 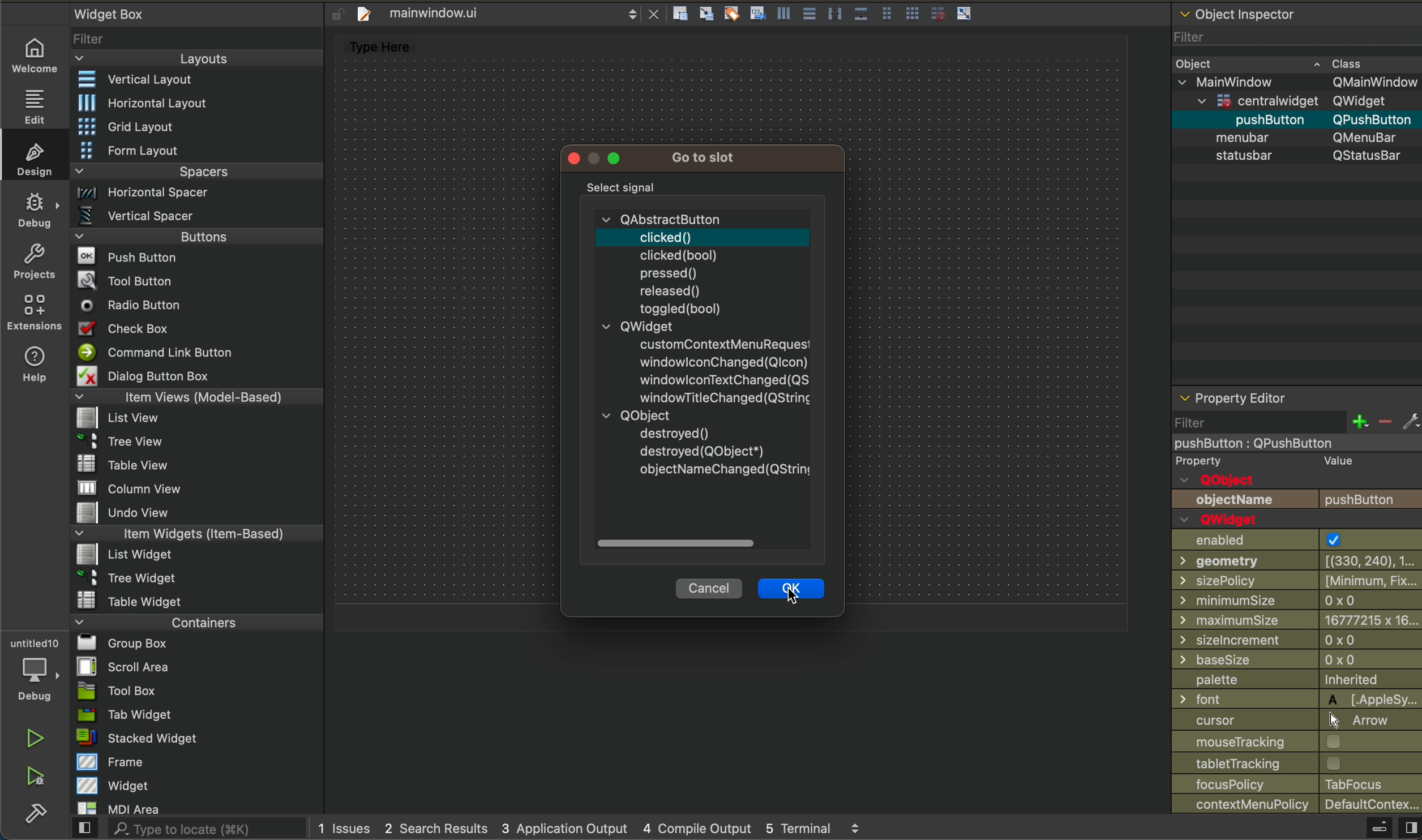 What do you see at coordinates (33, 211) in the screenshot?
I see `debug` at bounding box center [33, 211].